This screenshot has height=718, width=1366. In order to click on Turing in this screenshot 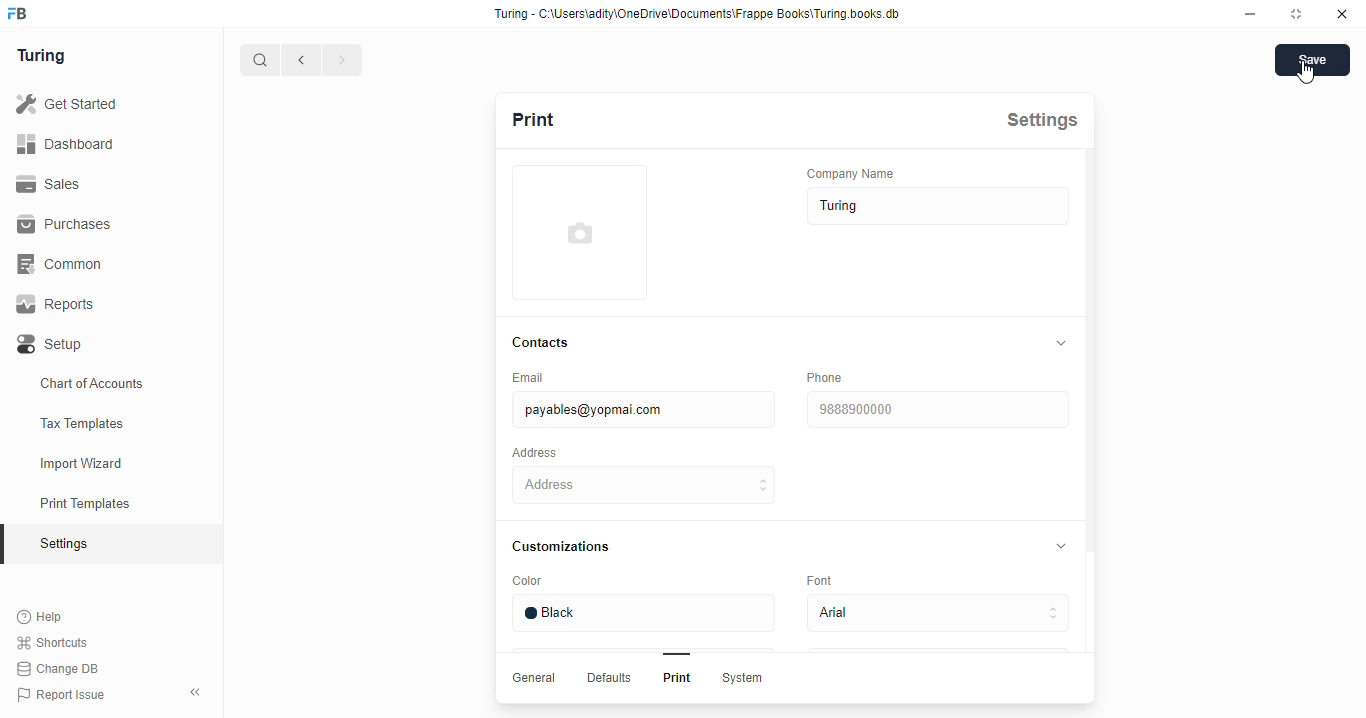, I will do `click(45, 54)`.